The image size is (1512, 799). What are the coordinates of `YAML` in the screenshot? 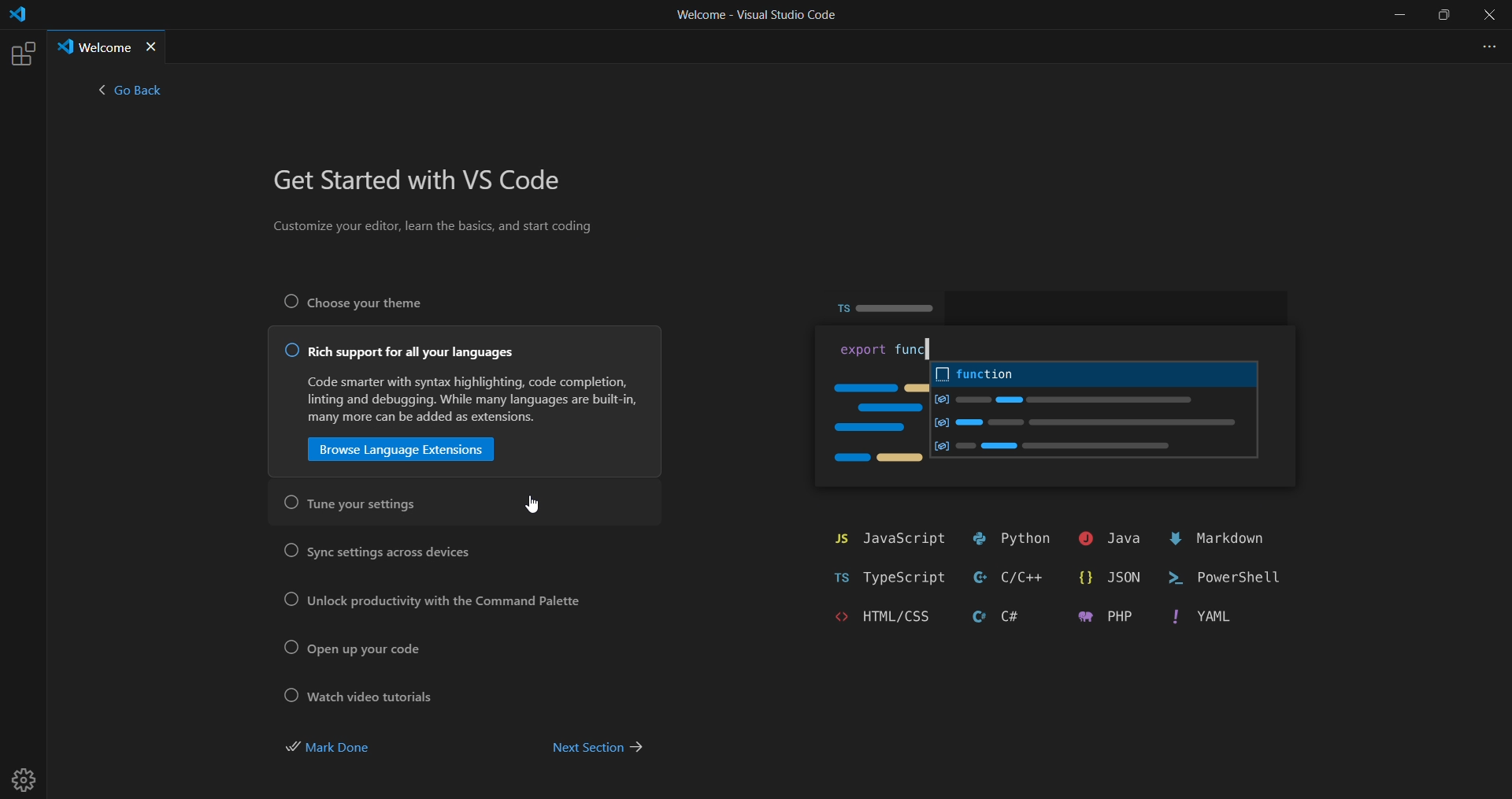 It's located at (1196, 623).